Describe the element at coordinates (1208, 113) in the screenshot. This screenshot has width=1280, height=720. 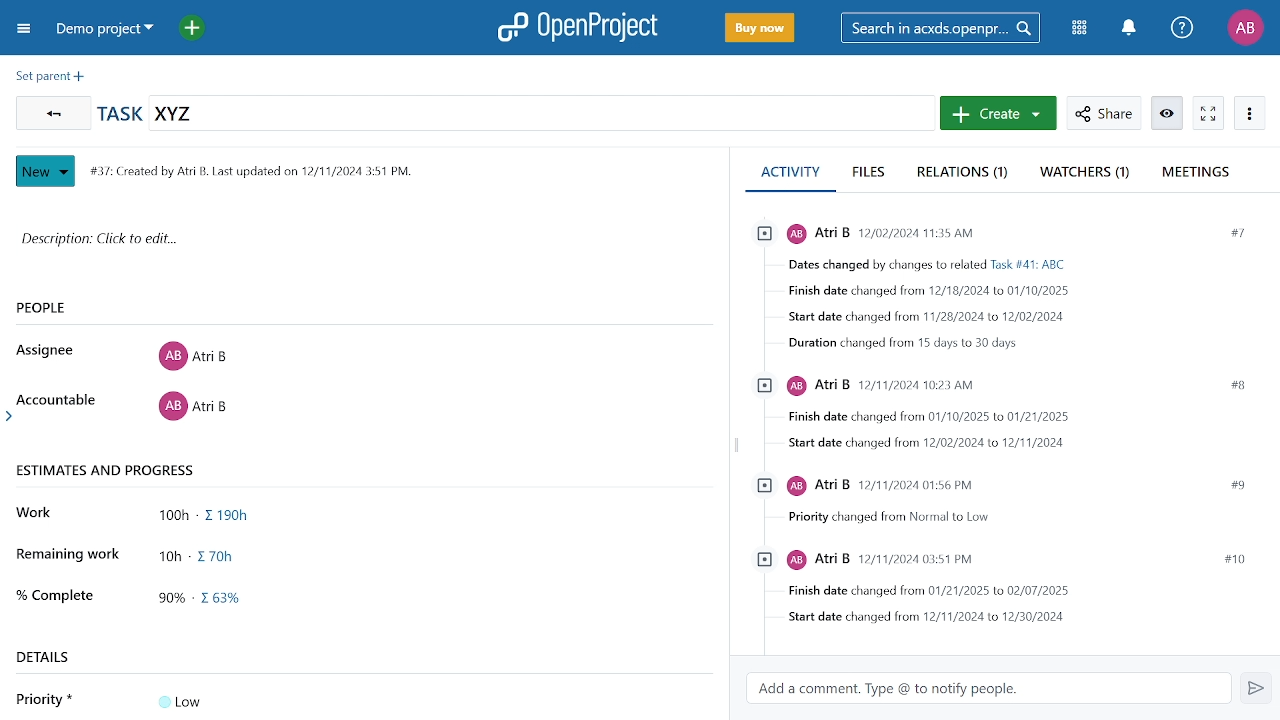
I see `Activate zen mode` at that location.